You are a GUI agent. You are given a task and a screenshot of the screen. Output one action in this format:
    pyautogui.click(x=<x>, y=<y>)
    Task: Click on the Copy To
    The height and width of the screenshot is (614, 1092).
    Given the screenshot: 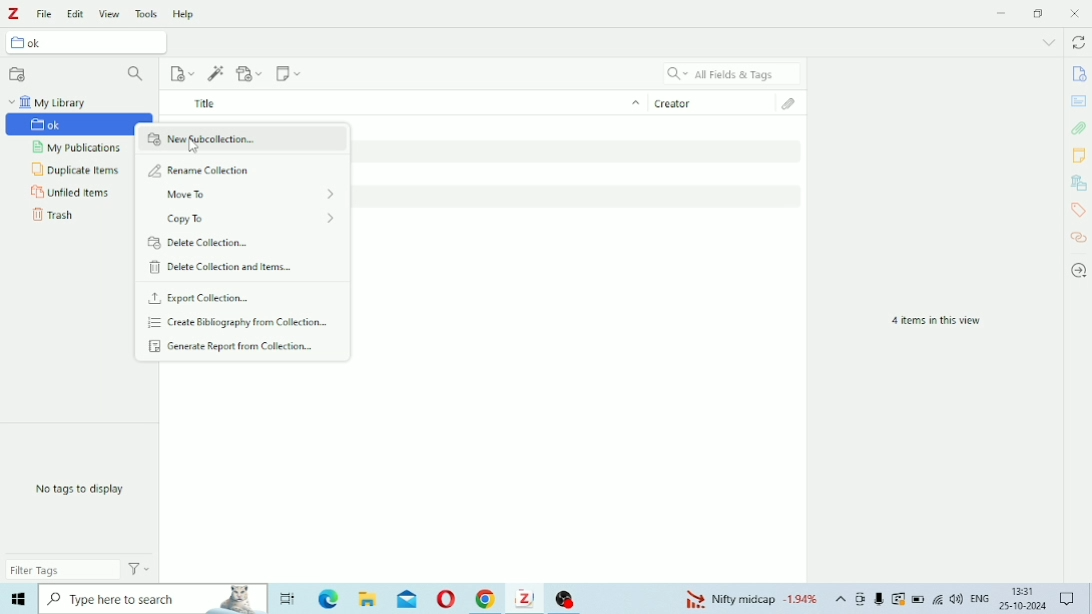 What is the action you would take?
    pyautogui.click(x=255, y=219)
    